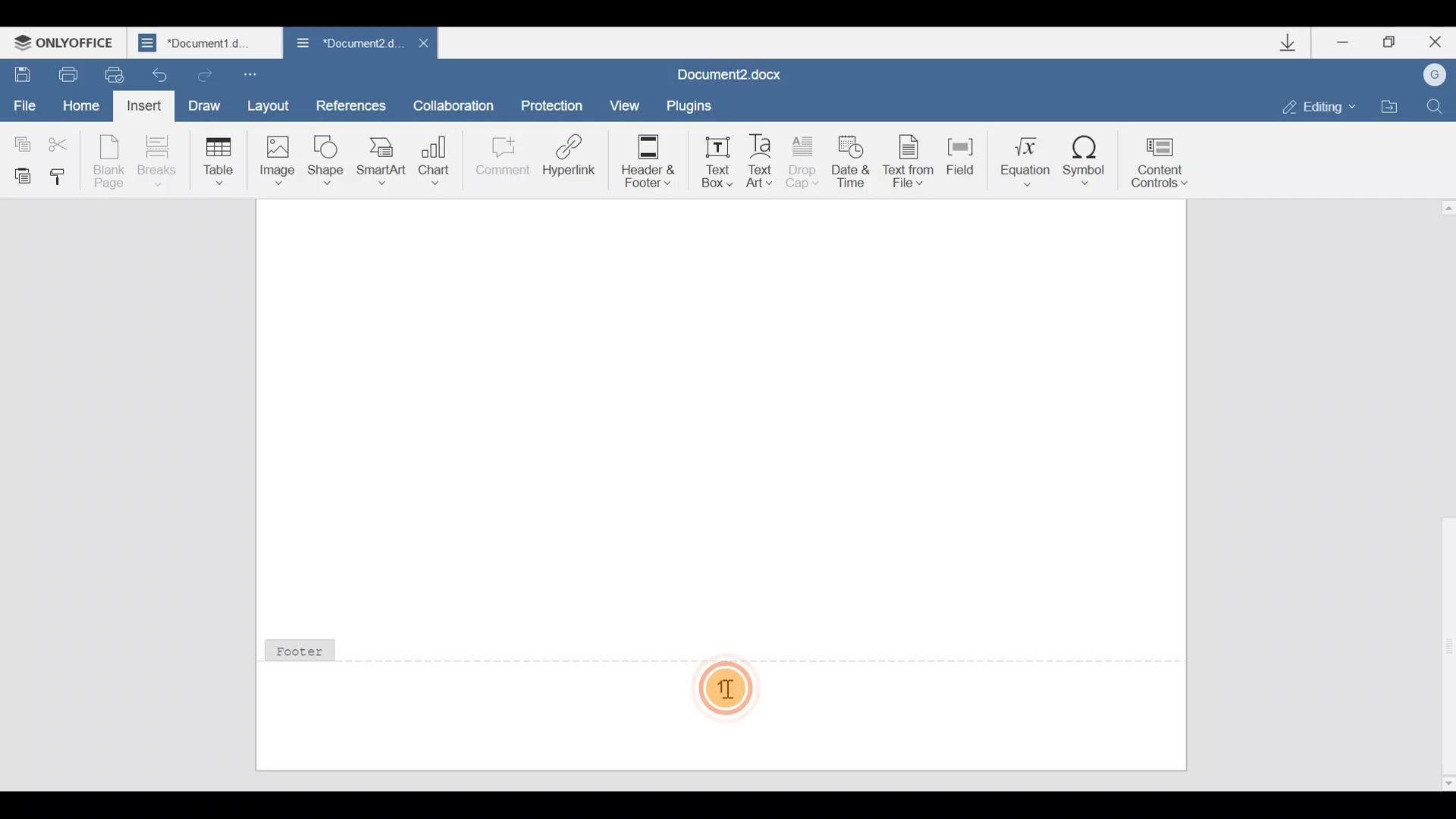  What do you see at coordinates (215, 160) in the screenshot?
I see `Table` at bounding box center [215, 160].